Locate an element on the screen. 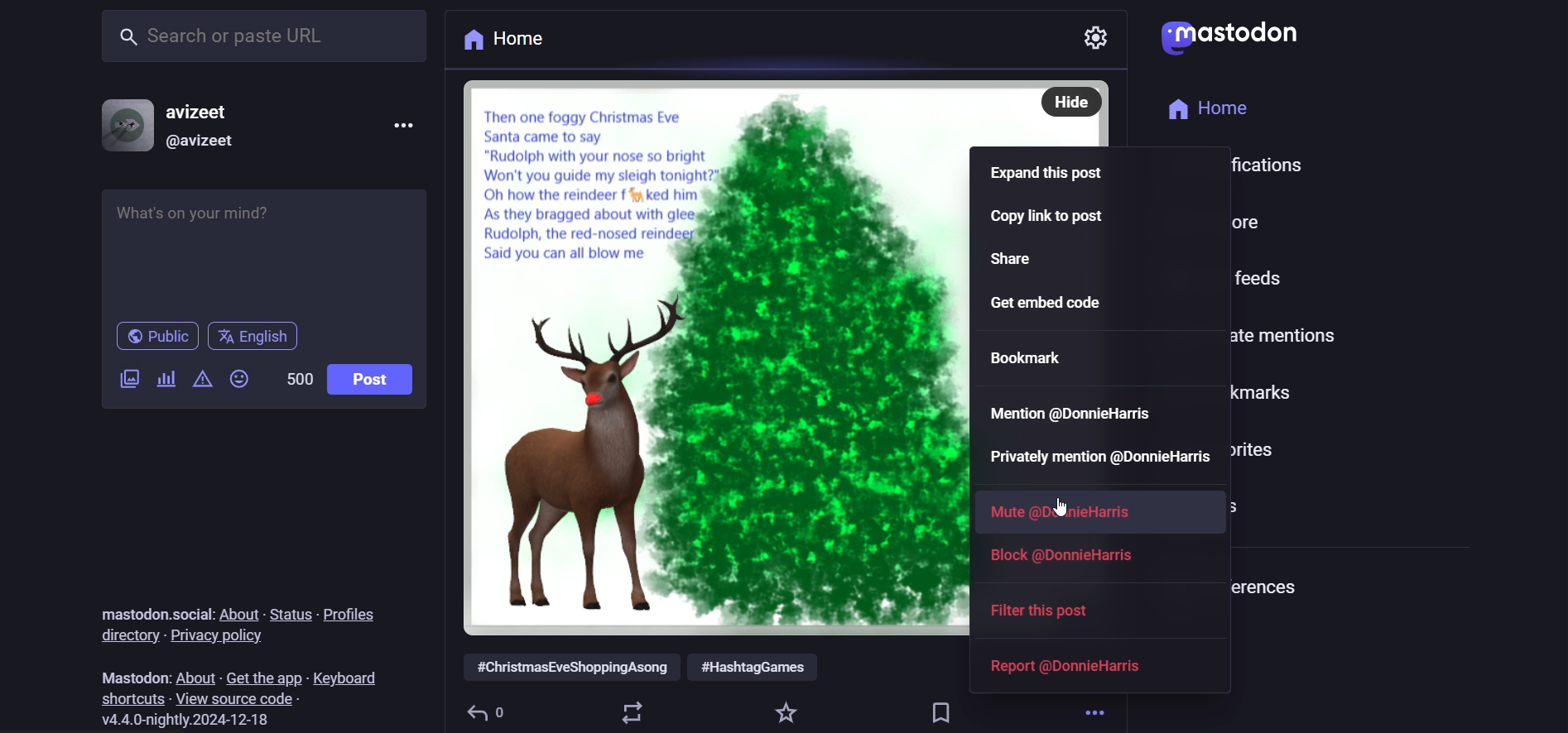 This screenshot has height=733, width=1568. hide is located at coordinates (1070, 101).